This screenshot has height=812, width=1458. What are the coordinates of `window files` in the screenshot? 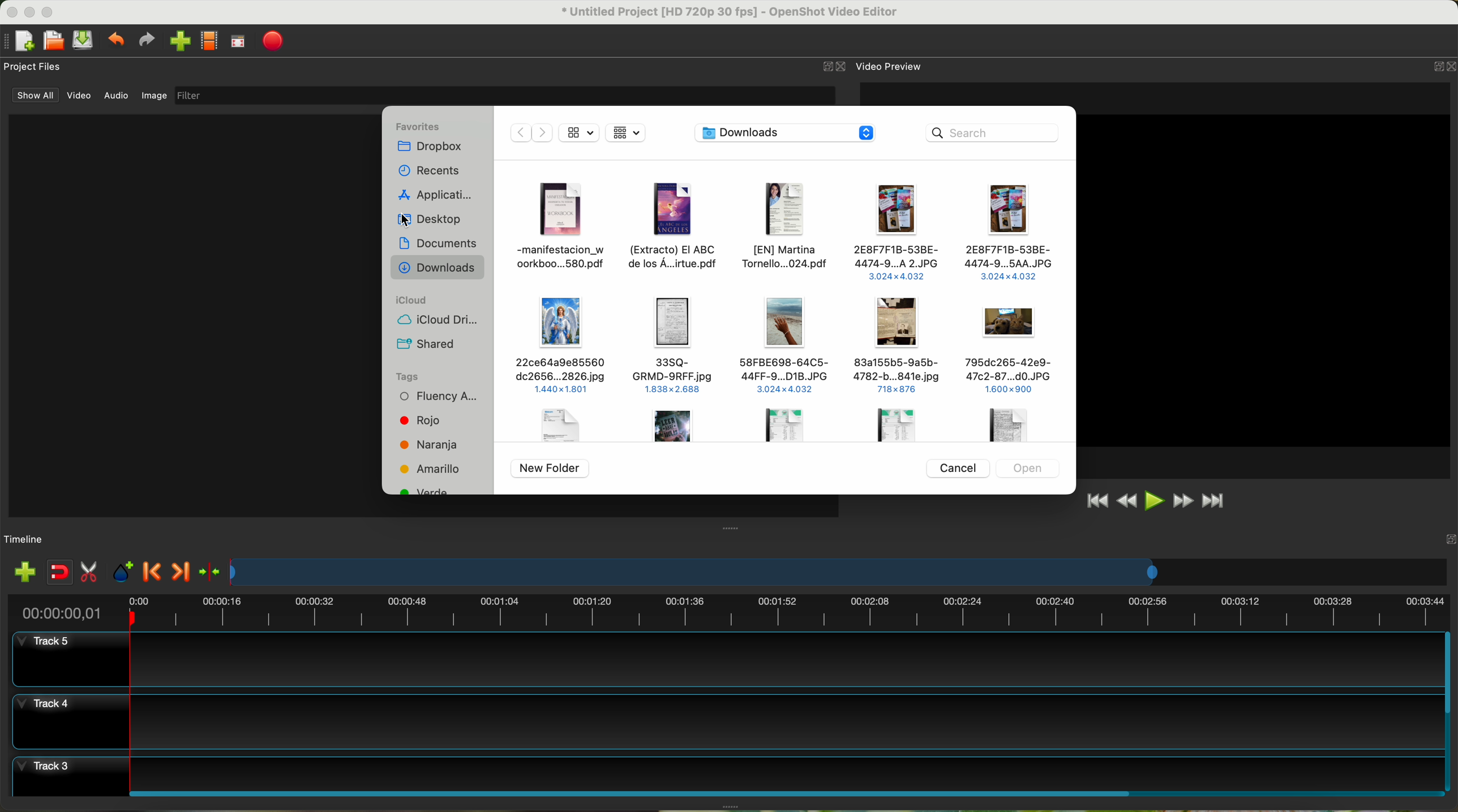 It's located at (190, 315).